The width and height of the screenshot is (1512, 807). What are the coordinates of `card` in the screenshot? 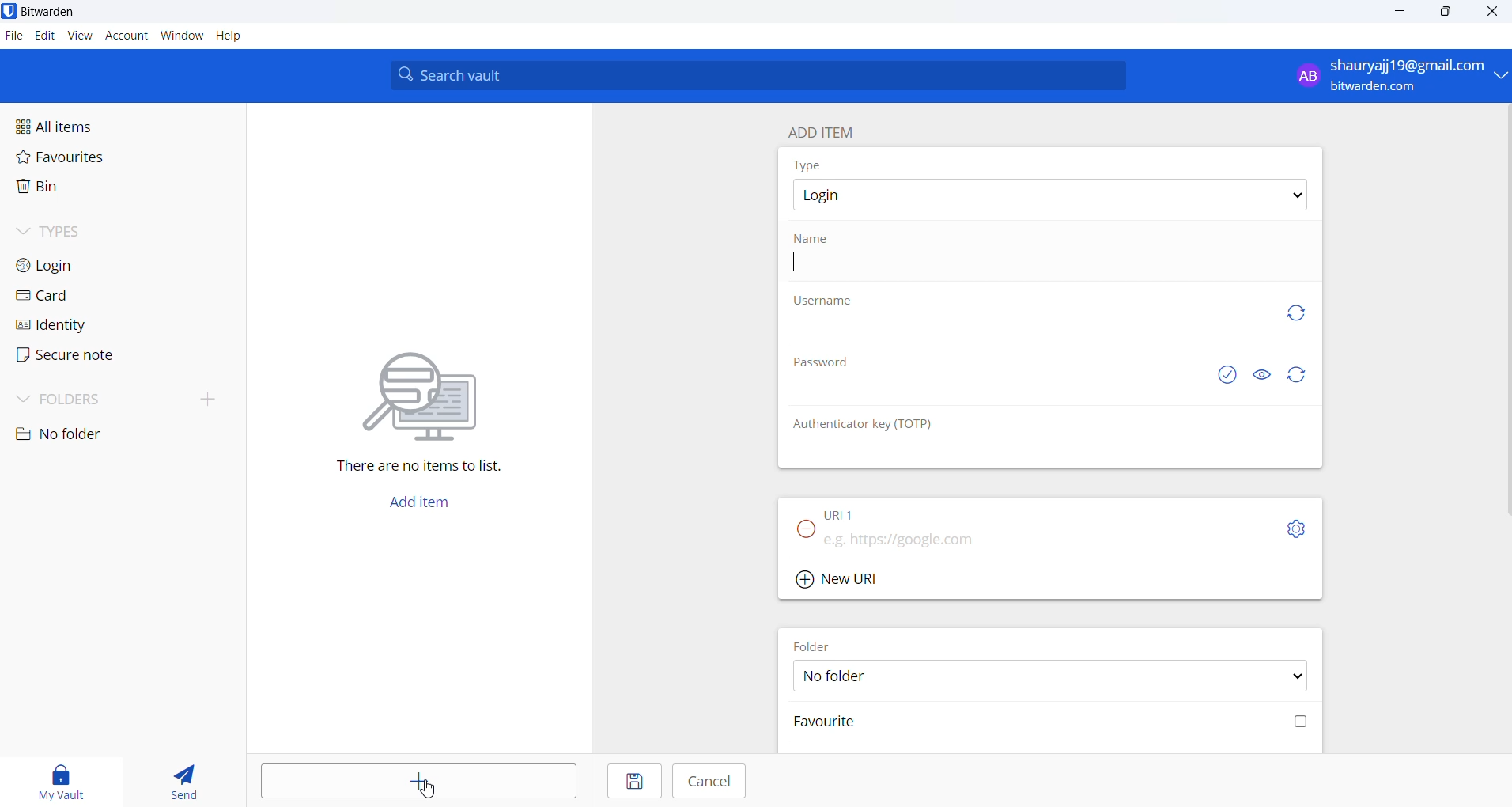 It's located at (63, 297).